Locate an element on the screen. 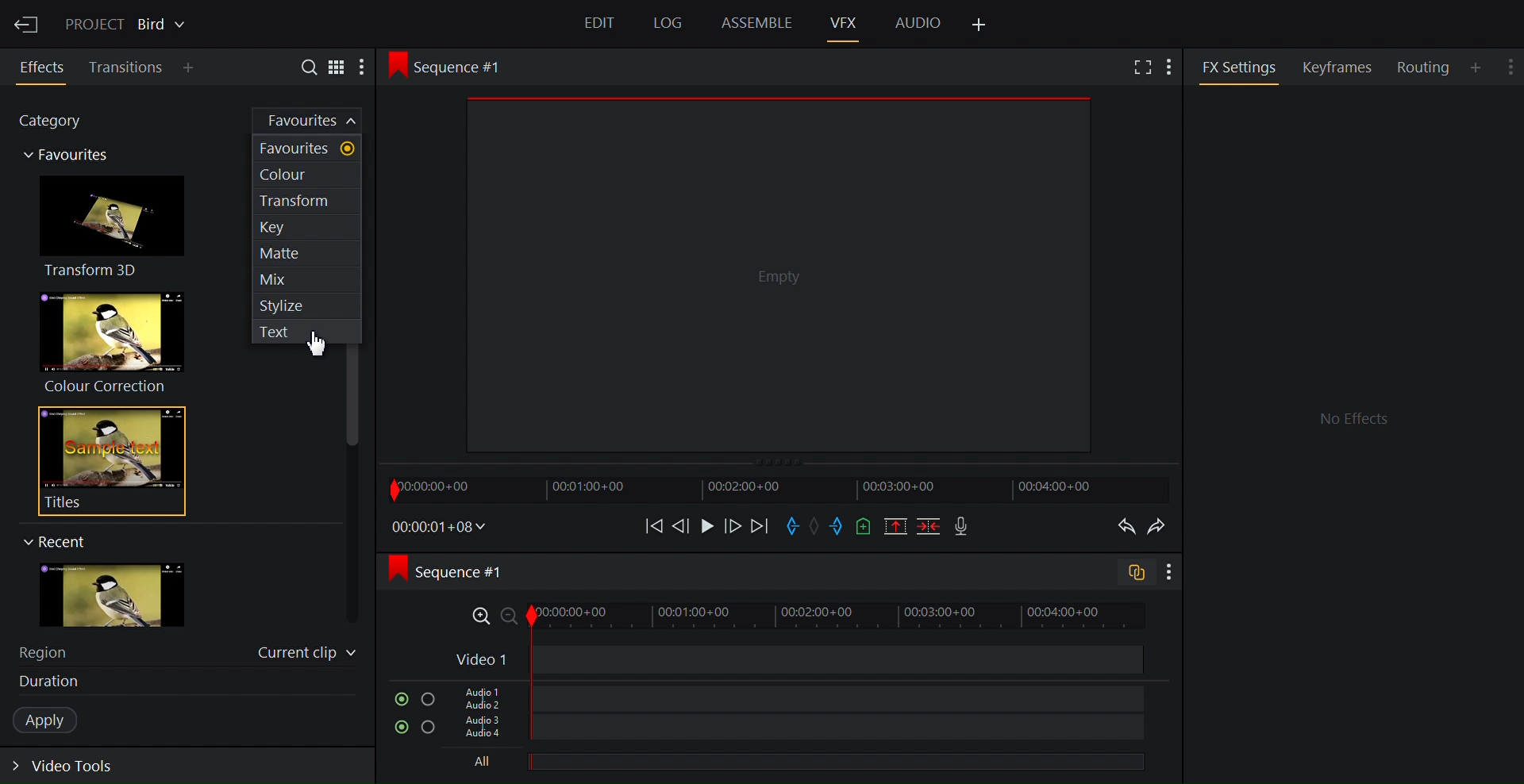 The width and height of the screenshot is (1524, 784). Move forward is located at coordinates (759, 527).